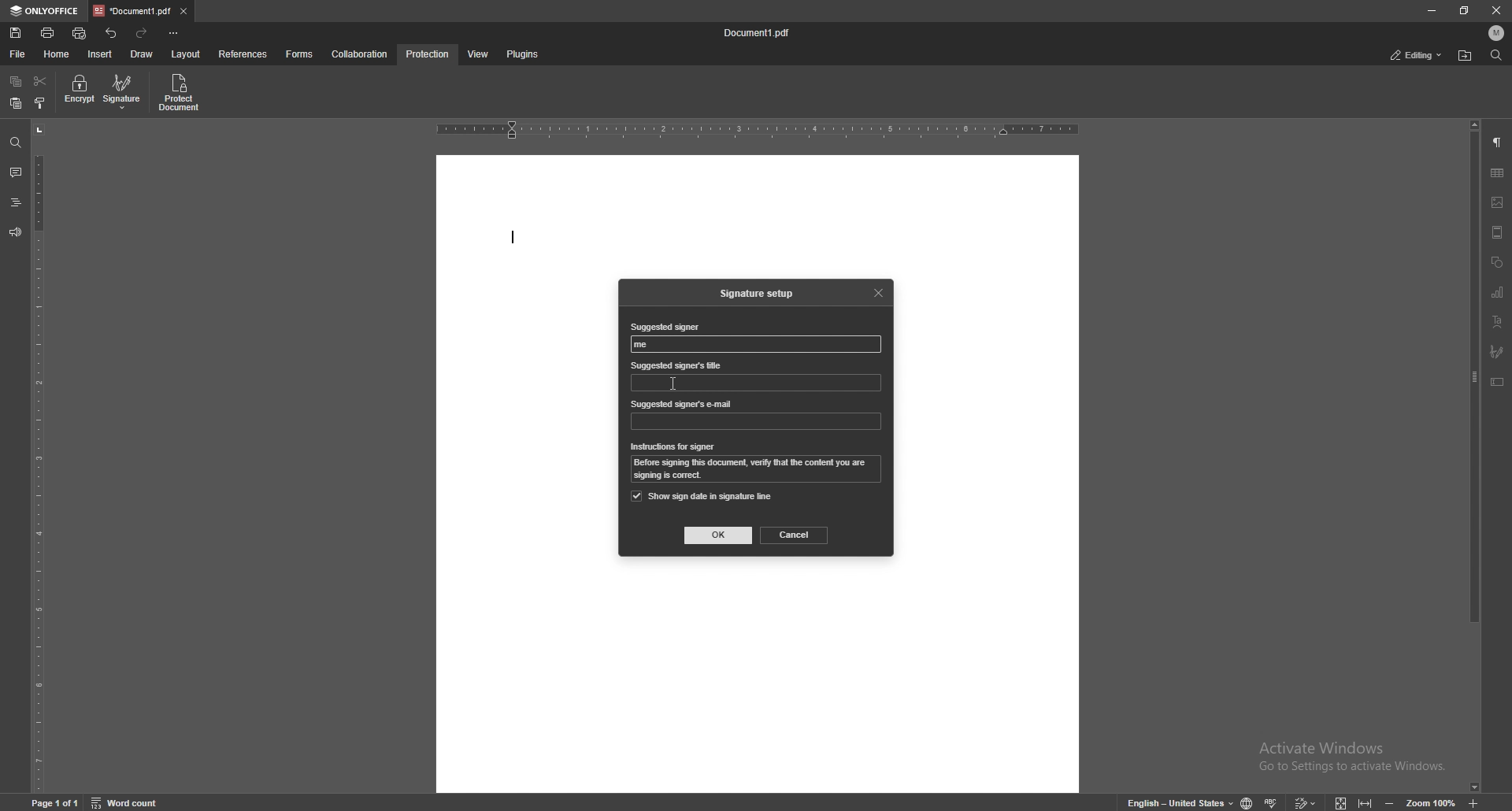  I want to click on layout, so click(185, 55).